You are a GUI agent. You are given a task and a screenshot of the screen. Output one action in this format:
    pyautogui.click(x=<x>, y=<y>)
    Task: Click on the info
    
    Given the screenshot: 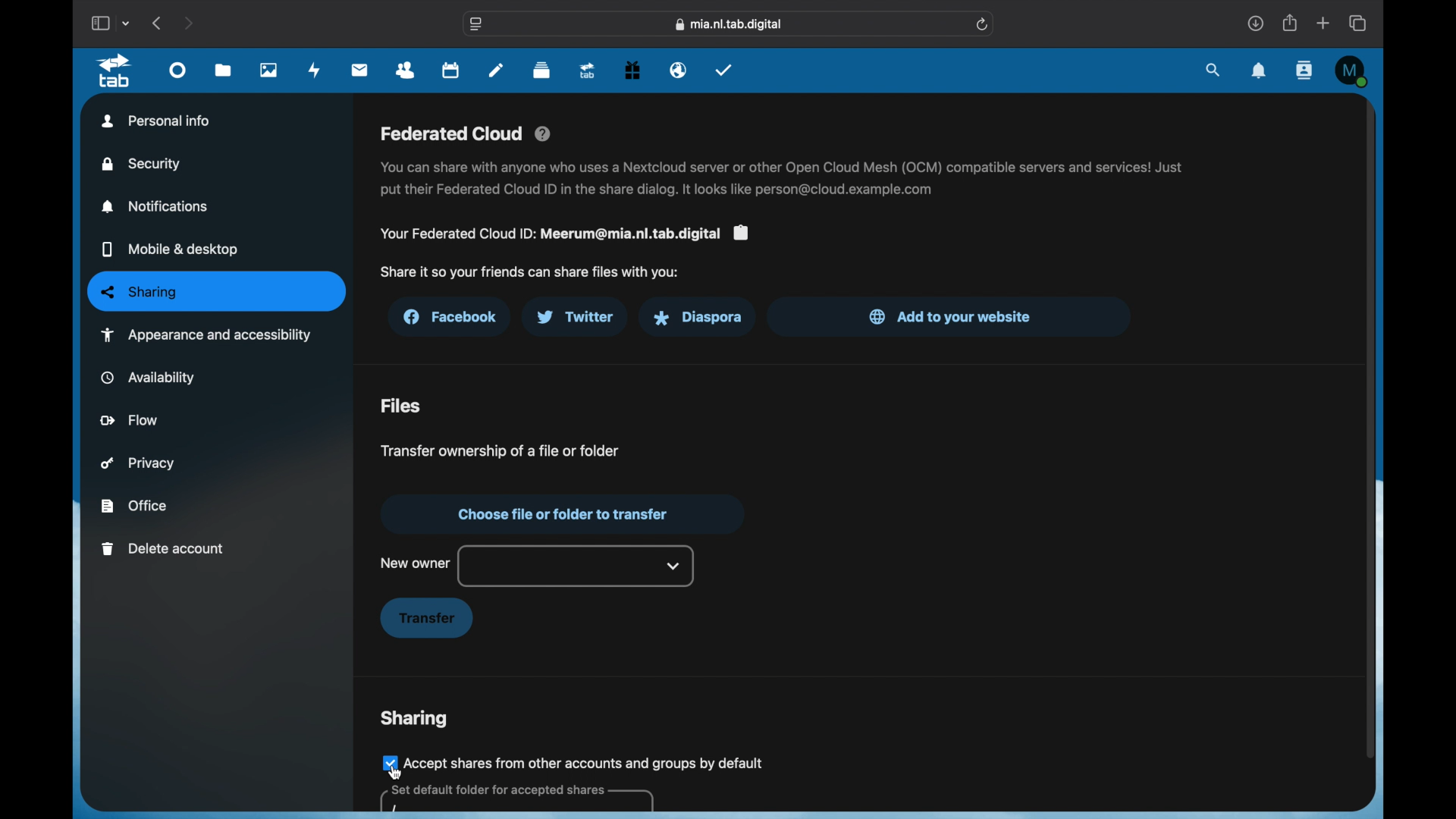 What is the action you would take?
    pyautogui.click(x=783, y=179)
    